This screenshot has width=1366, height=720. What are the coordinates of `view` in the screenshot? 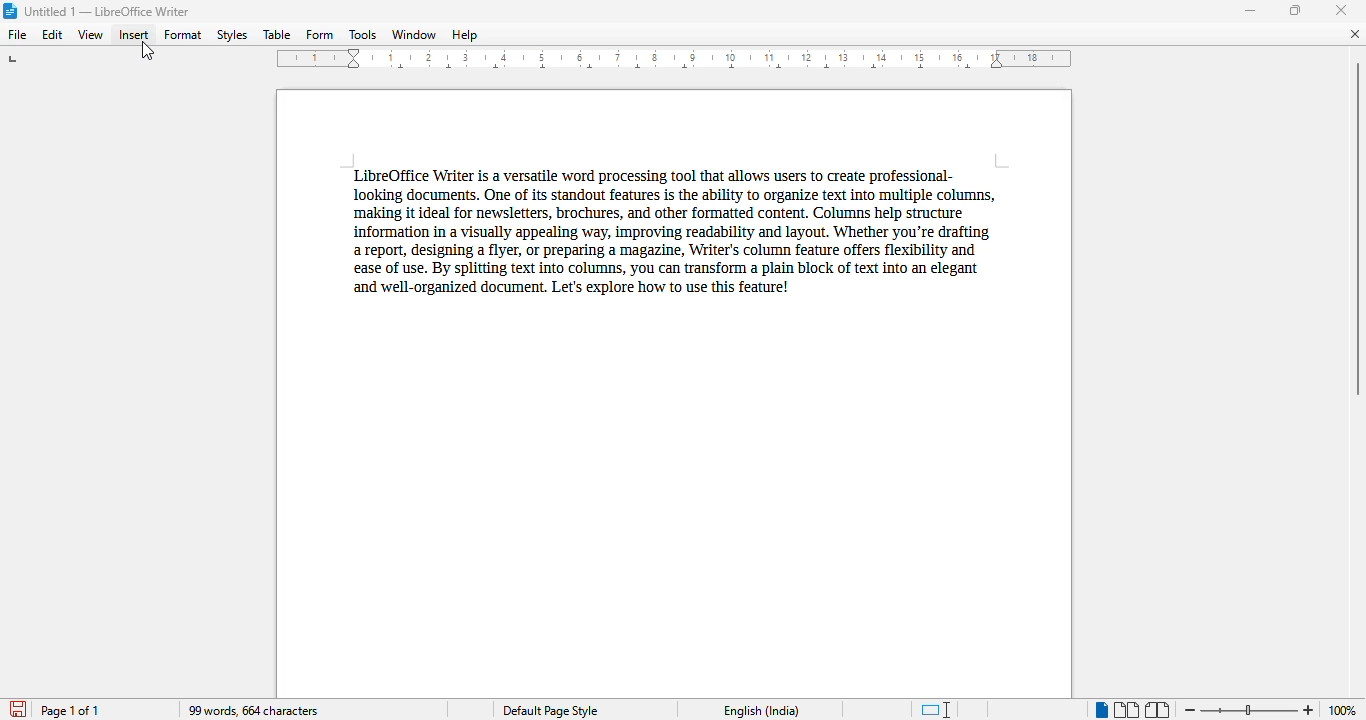 It's located at (90, 35).